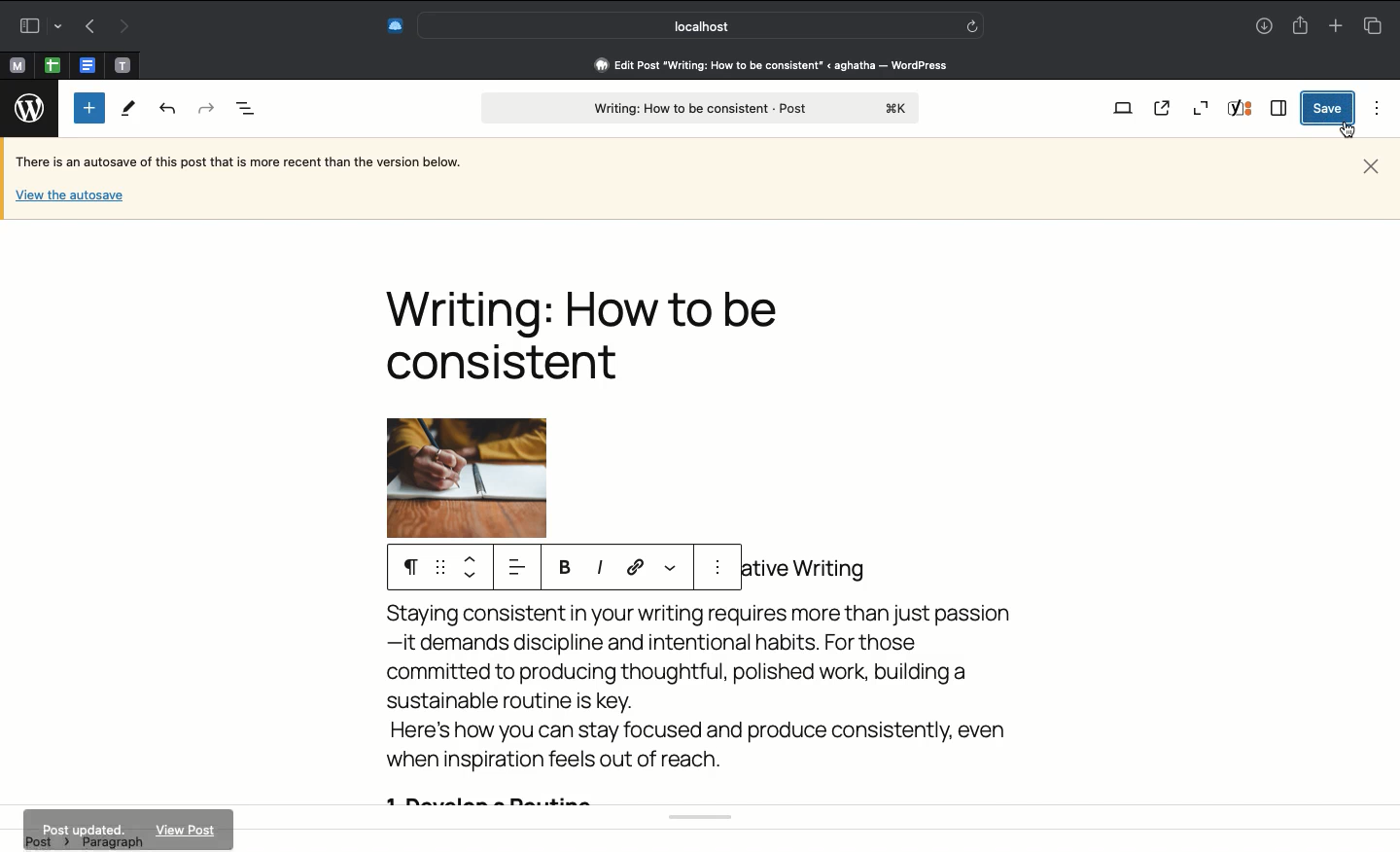 This screenshot has width=1400, height=852. What do you see at coordinates (1242, 110) in the screenshot?
I see `Yoast` at bounding box center [1242, 110].